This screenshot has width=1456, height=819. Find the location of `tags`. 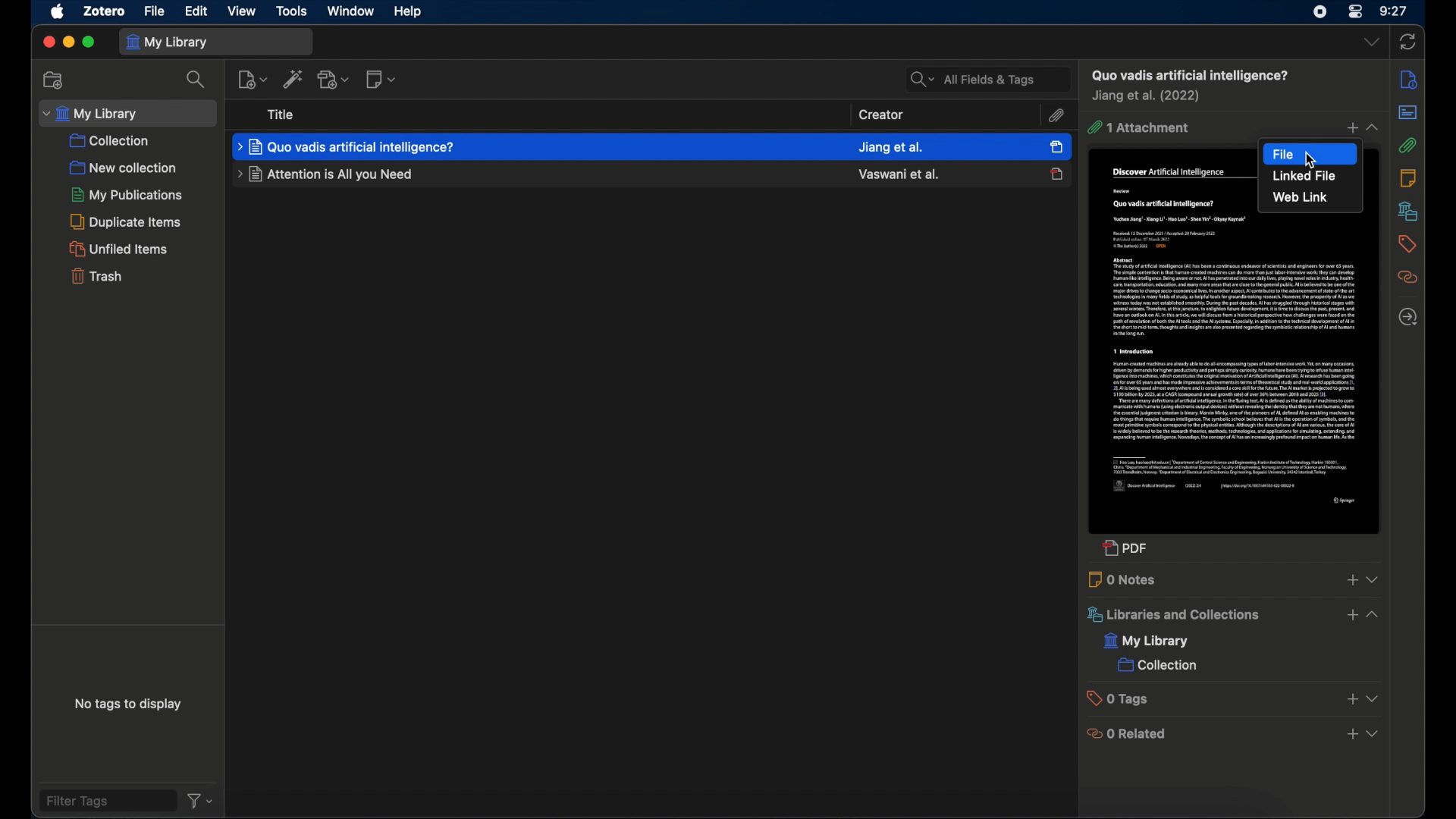

tags is located at coordinates (1406, 243).